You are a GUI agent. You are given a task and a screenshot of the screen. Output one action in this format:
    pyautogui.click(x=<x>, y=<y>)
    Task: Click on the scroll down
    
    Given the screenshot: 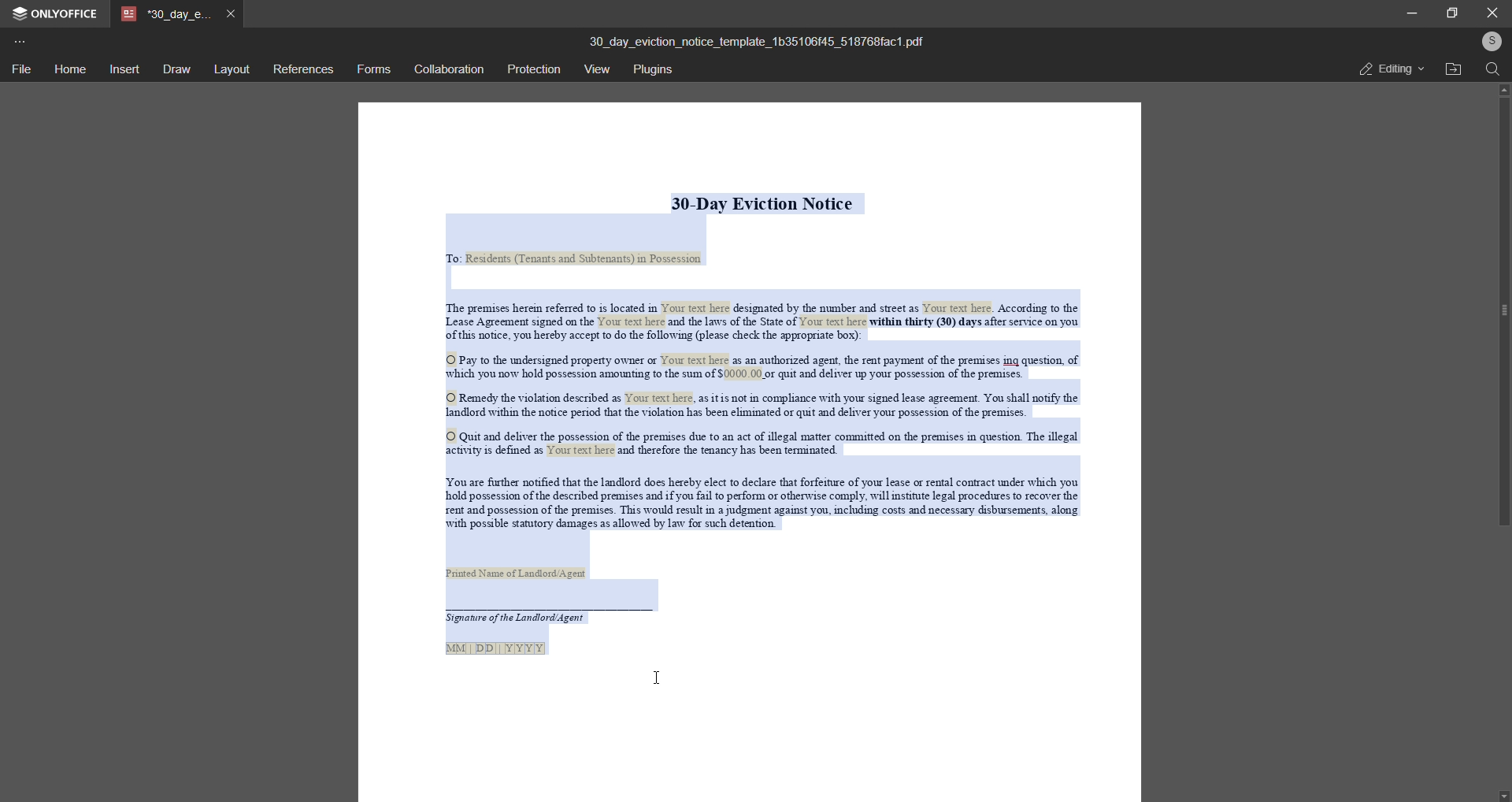 What is the action you would take?
    pyautogui.click(x=1503, y=793)
    